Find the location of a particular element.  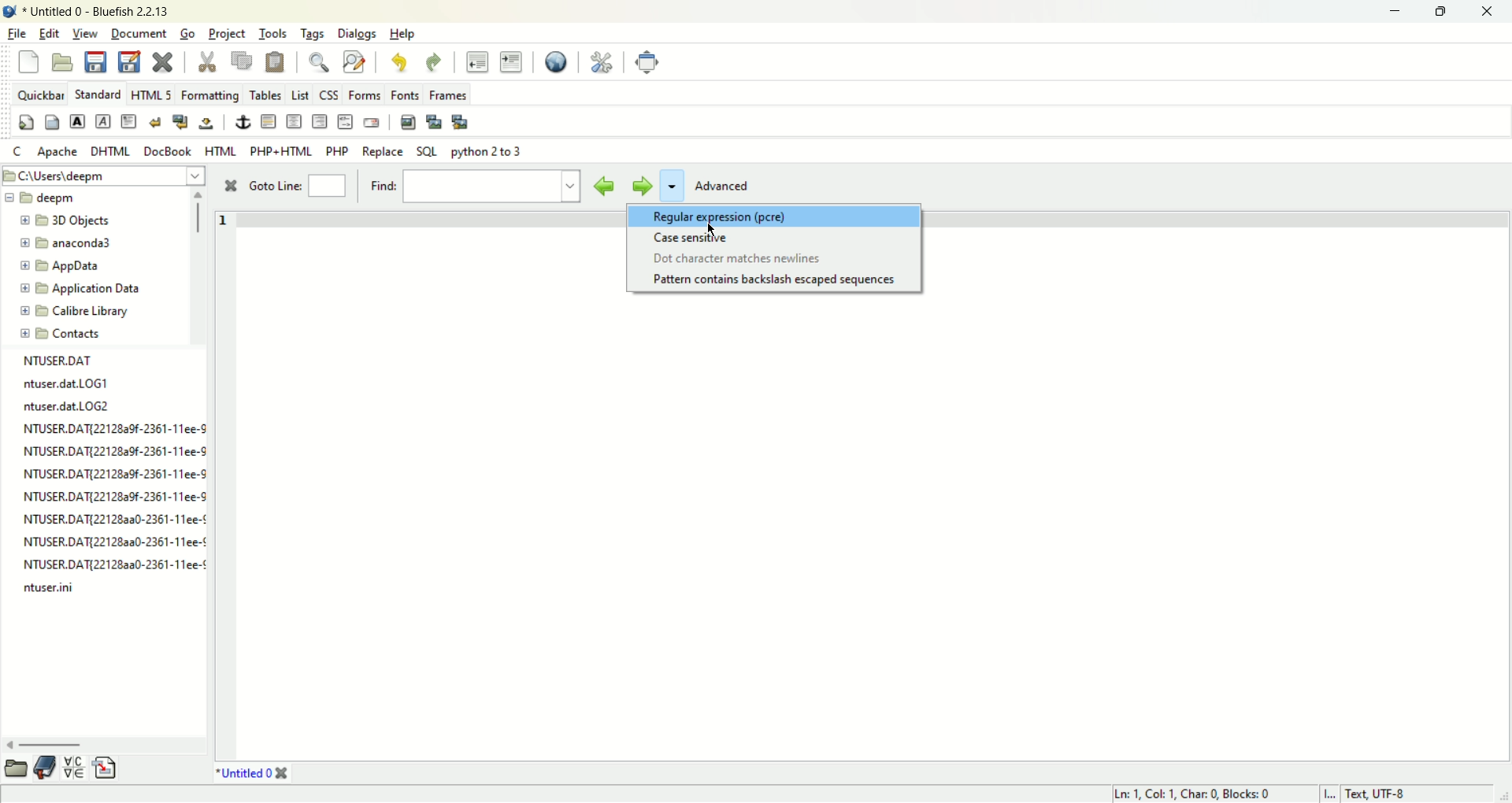

new is located at coordinates (31, 65).